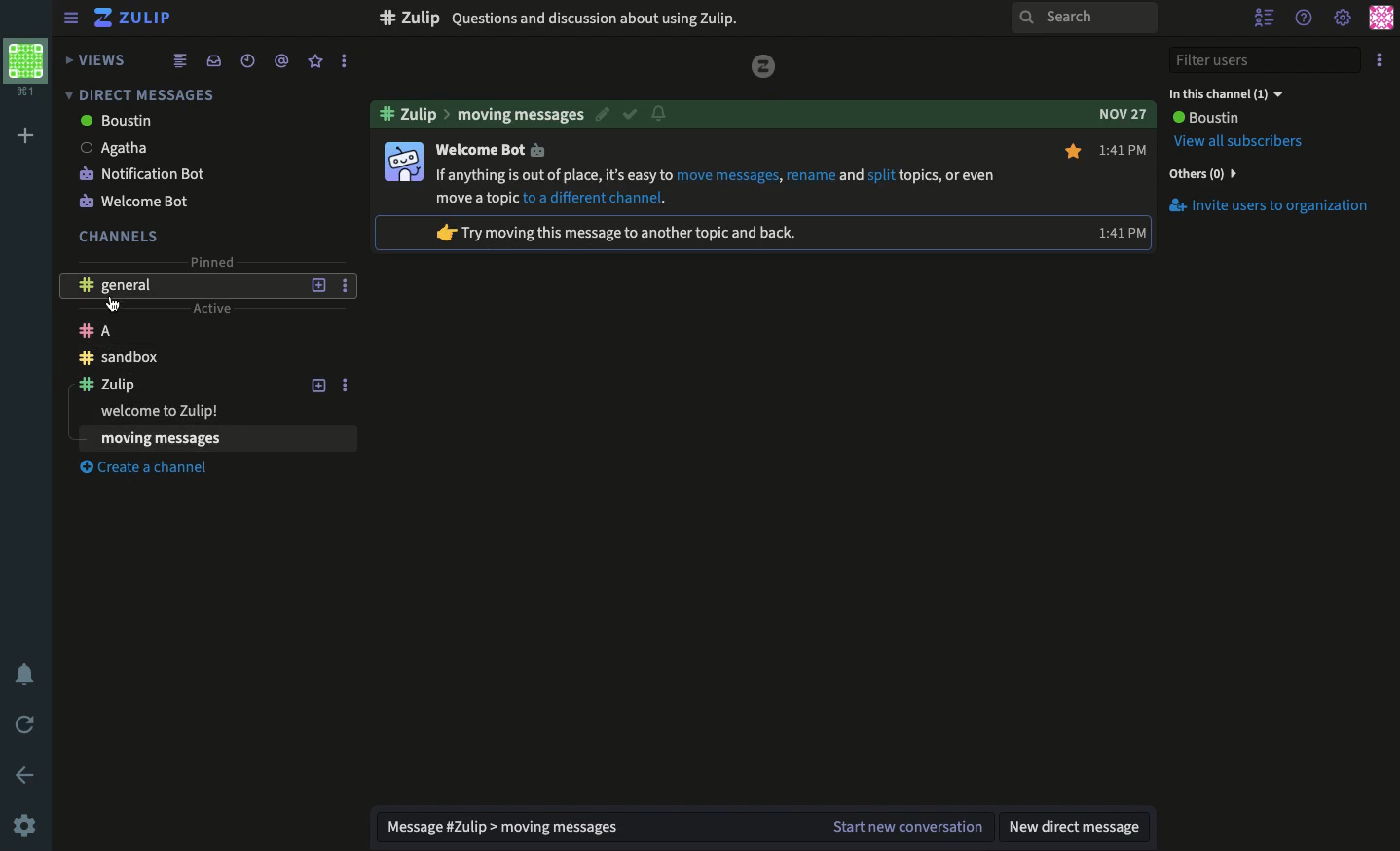 This screenshot has width=1400, height=851. I want to click on Create a channel, so click(154, 469).